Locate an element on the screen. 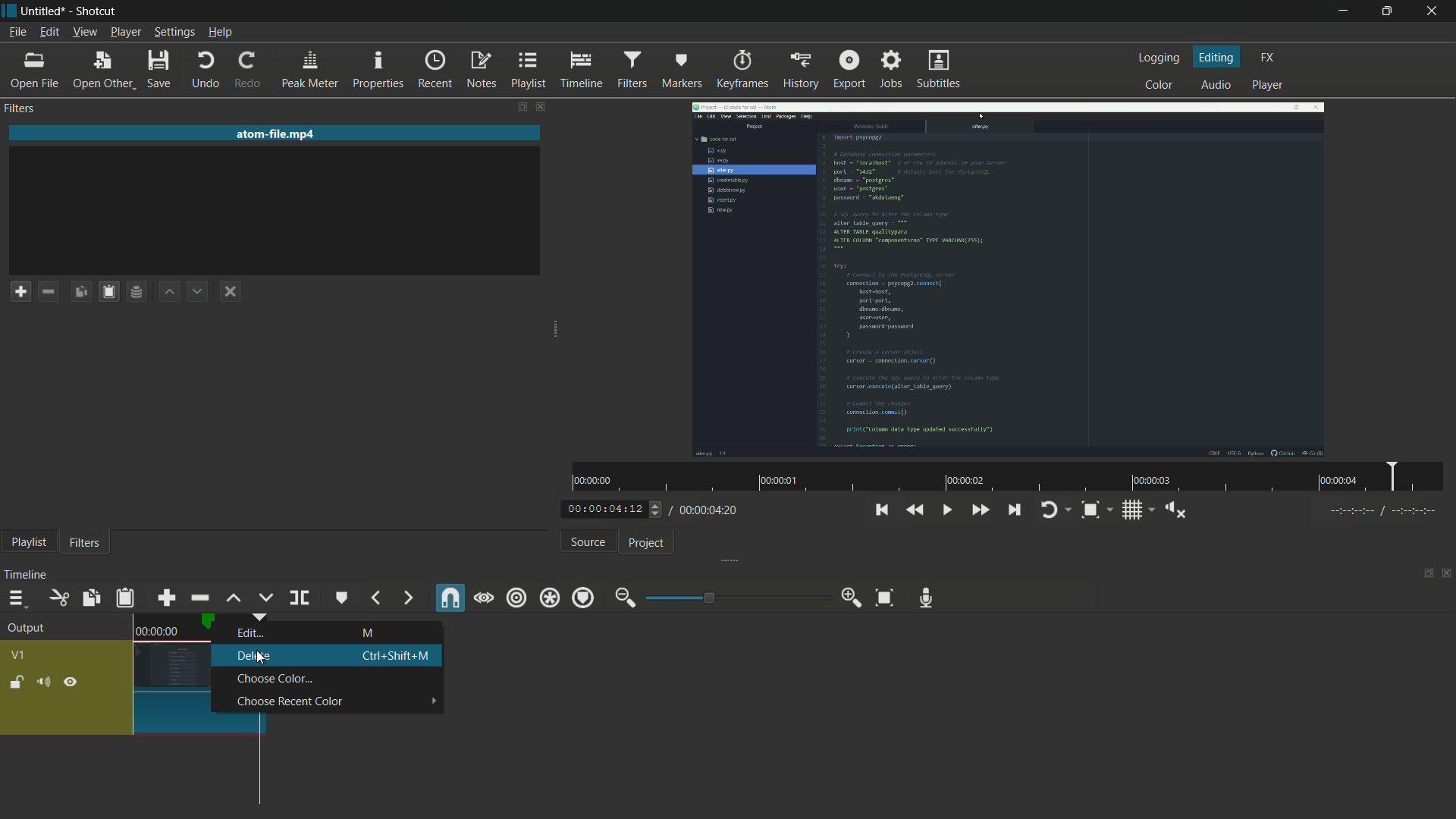  cut is located at coordinates (56, 599).